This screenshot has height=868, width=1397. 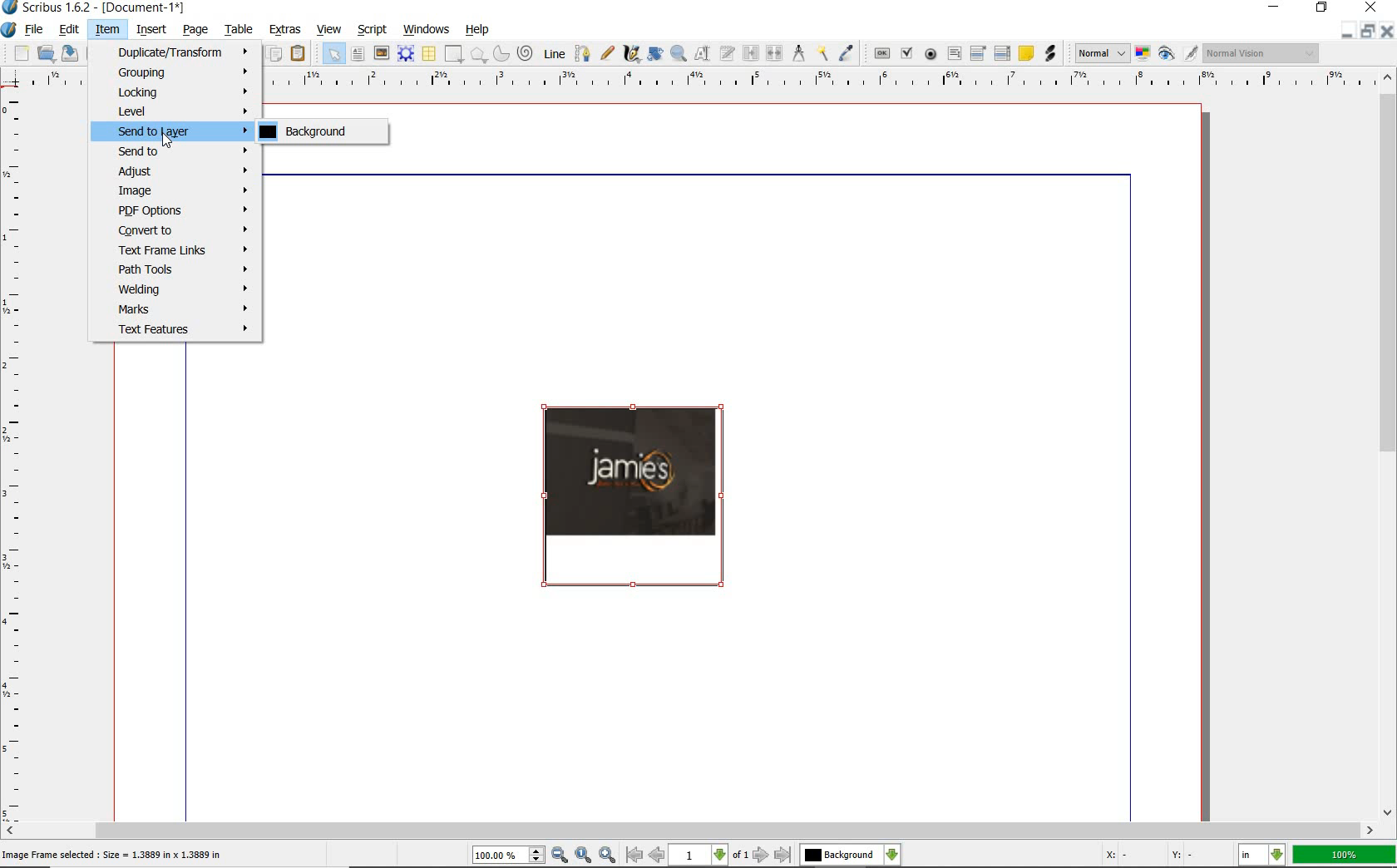 What do you see at coordinates (45, 52) in the screenshot?
I see `open` at bounding box center [45, 52].